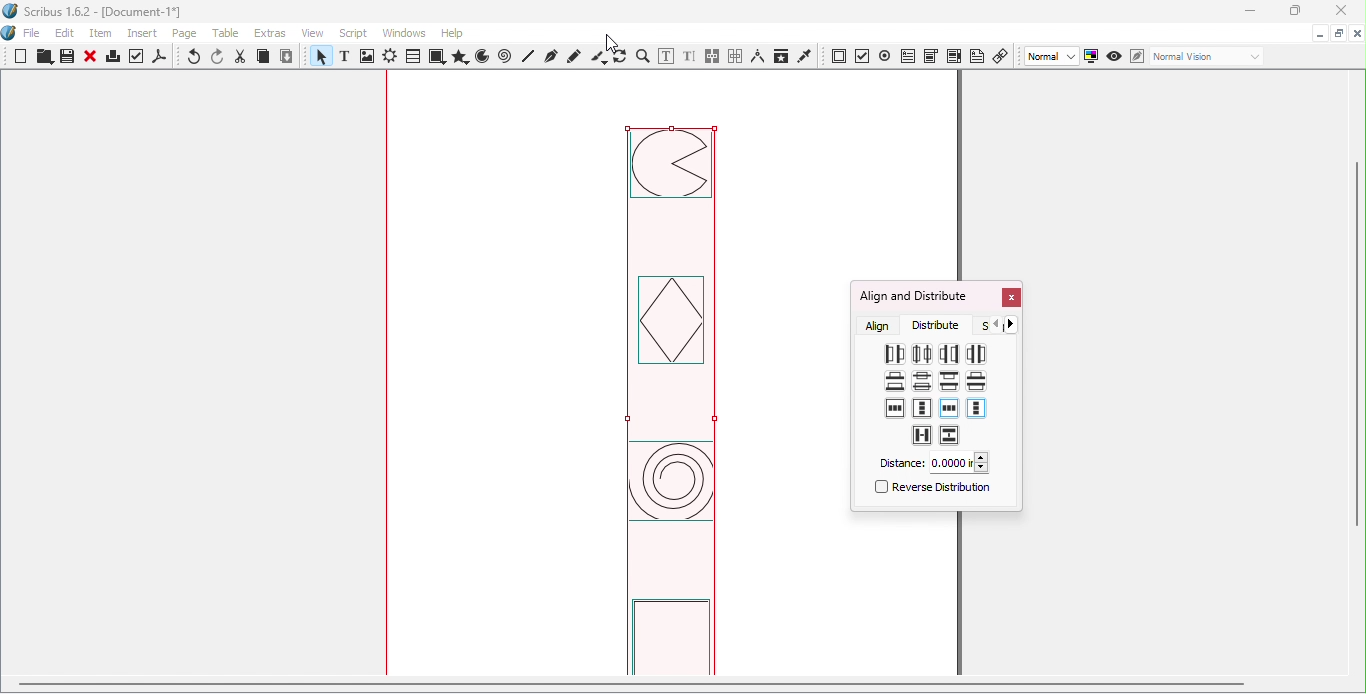 This screenshot has height=694, width=1366. I want to click on PDF push button, so click(839, 57).